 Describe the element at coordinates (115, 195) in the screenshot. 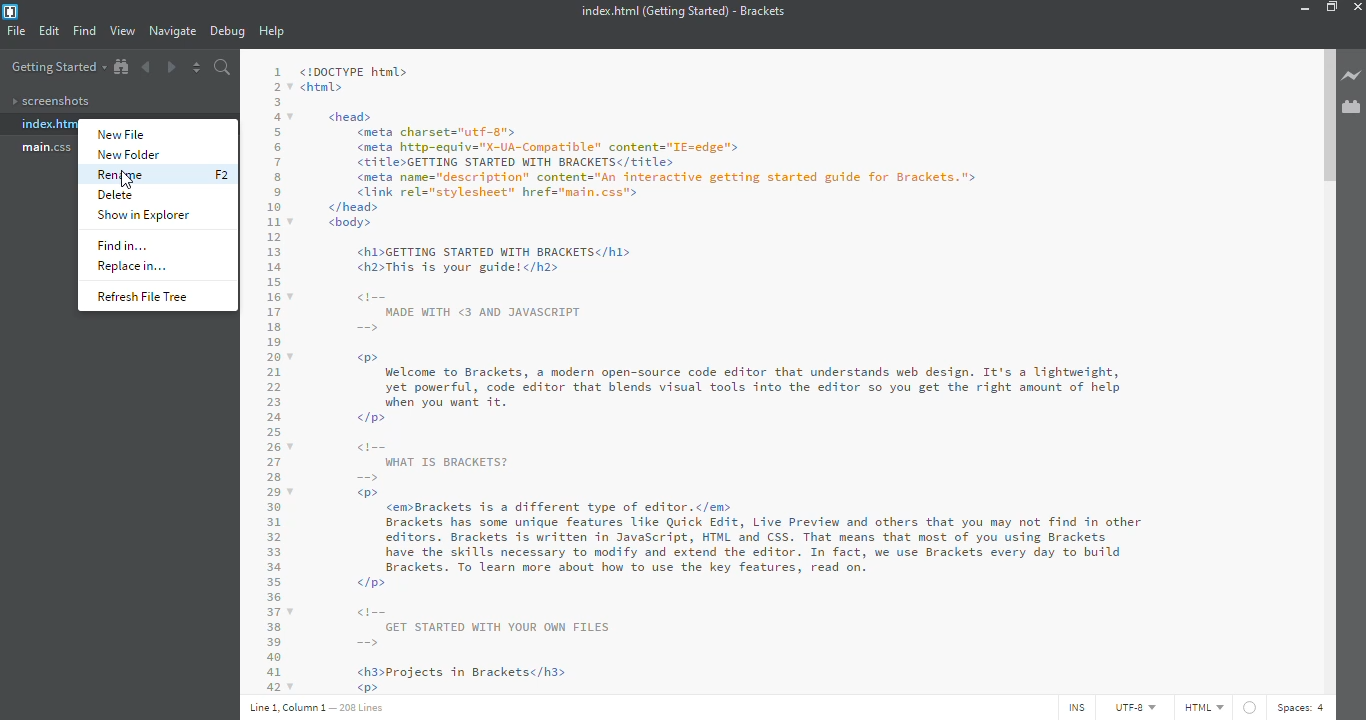

I see `delete` at that location.